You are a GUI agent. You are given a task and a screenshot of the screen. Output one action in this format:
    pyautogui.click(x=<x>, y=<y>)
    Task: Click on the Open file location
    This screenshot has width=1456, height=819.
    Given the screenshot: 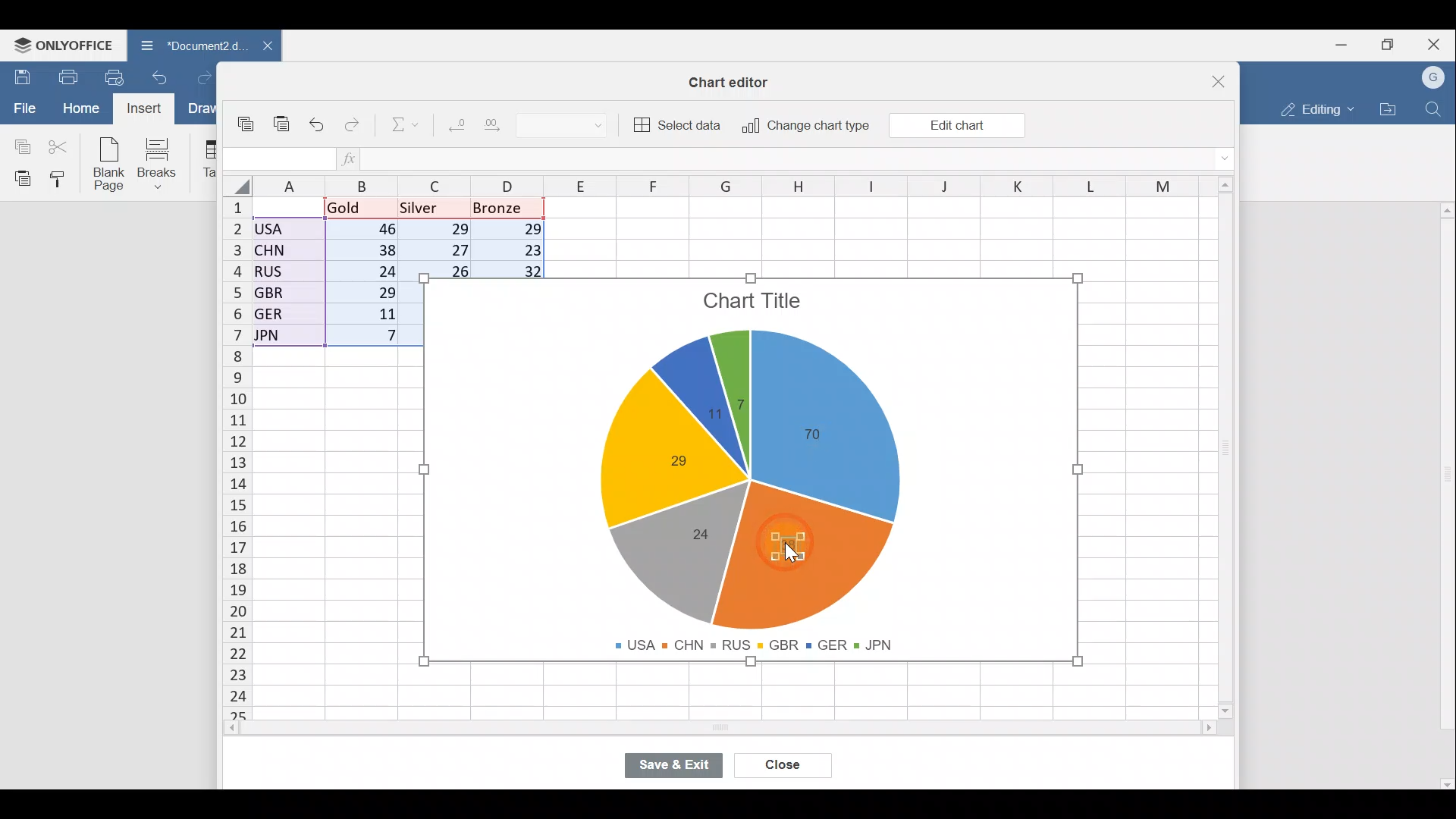 What is the action you would take?
    pyautogui.click(x=1388, y=109)
    